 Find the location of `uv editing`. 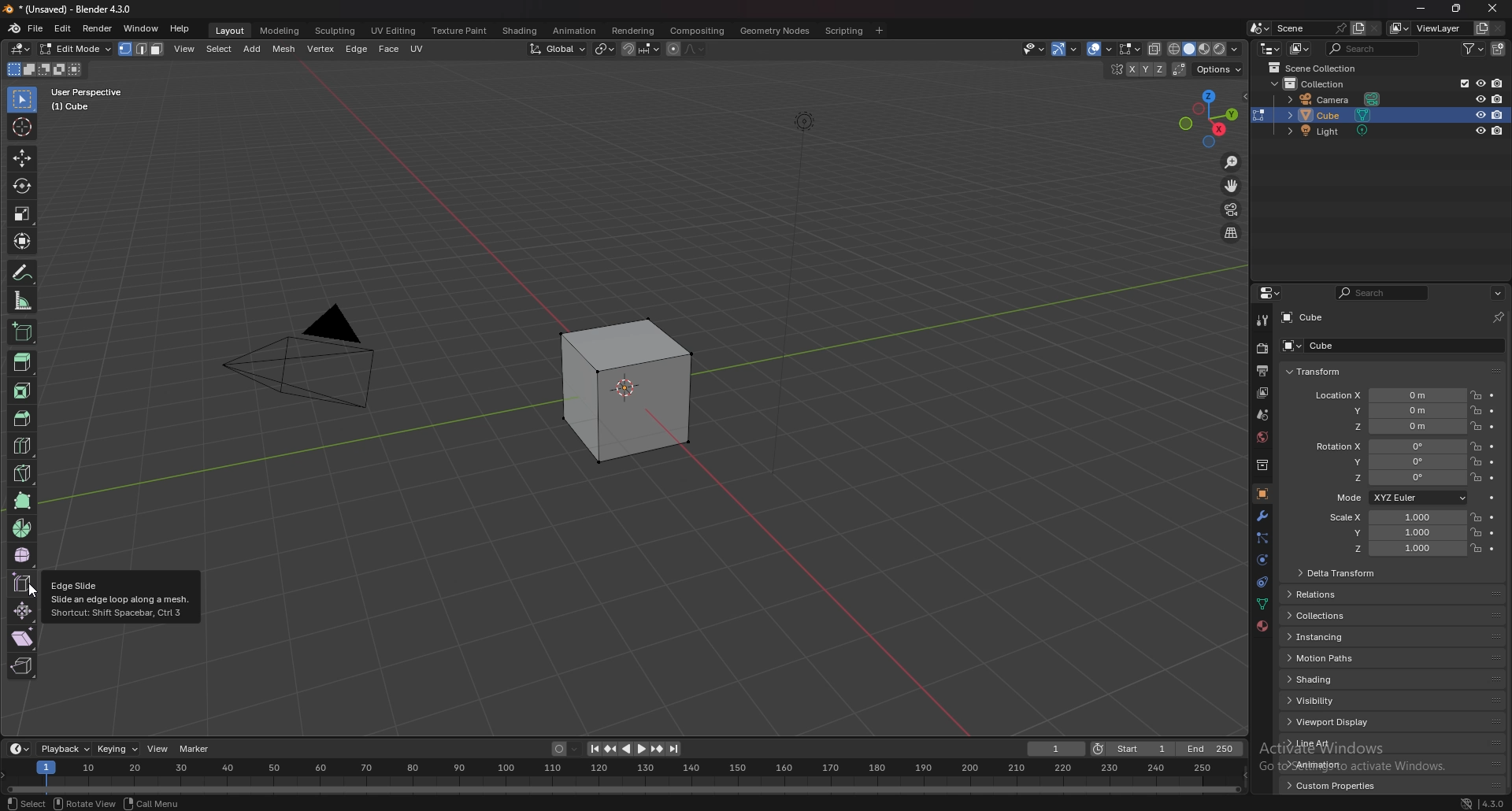

uv editing is located at coordinates (395, 31).